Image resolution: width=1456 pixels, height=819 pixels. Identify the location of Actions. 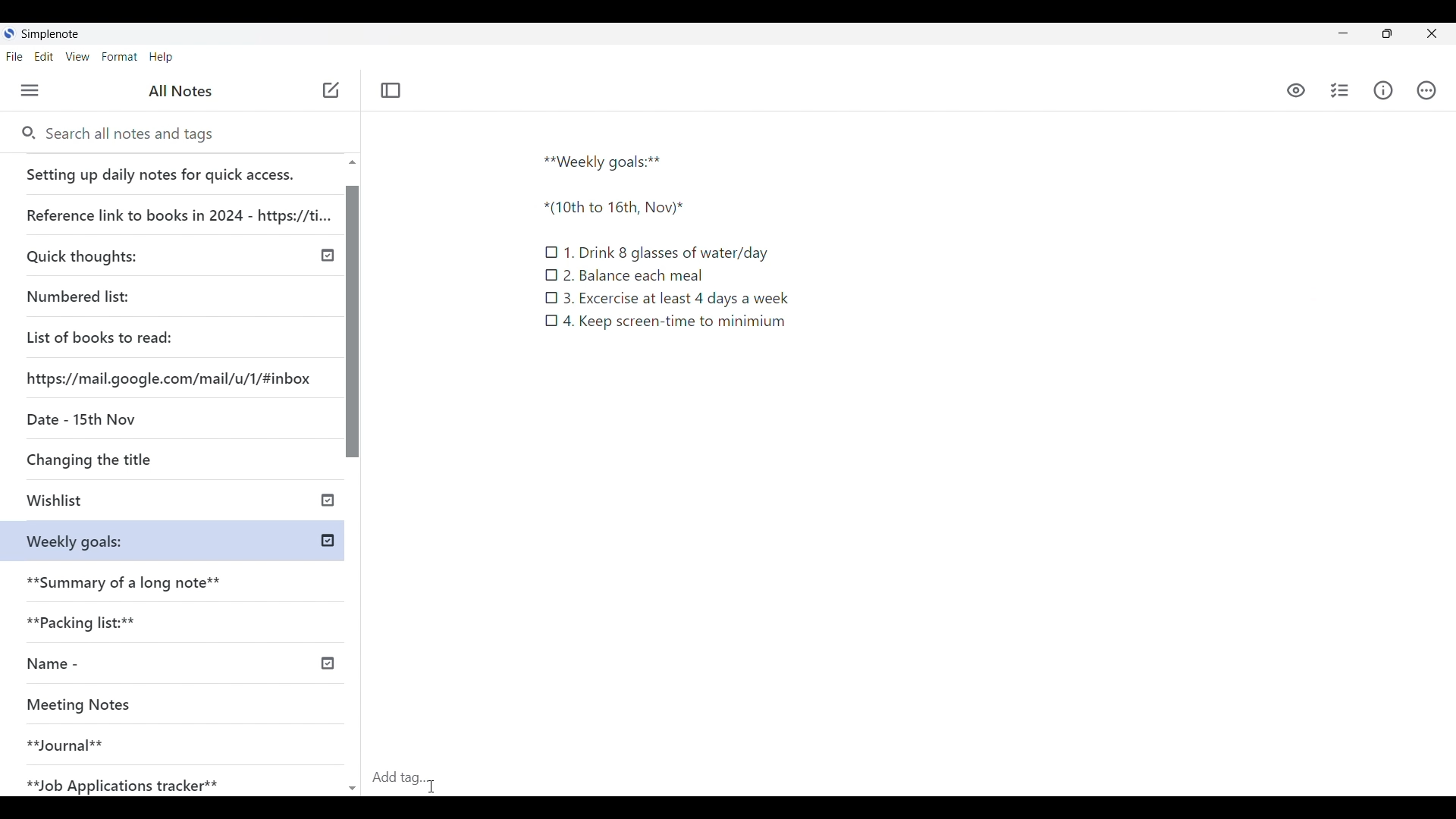
(1425, 89).